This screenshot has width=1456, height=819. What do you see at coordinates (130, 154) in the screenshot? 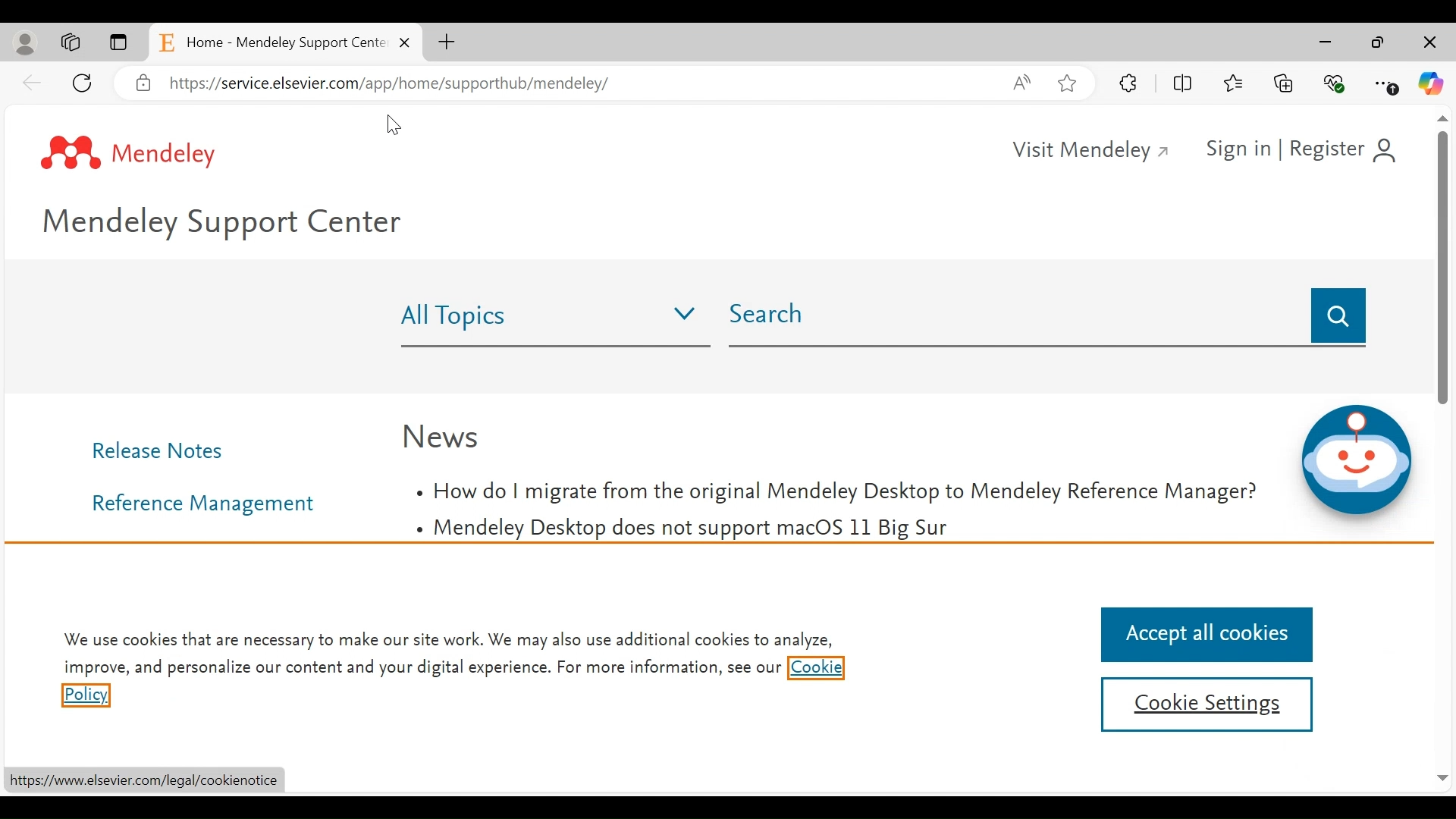
I see `Mendeley Desktop icon` at bounding box center [130, 154].